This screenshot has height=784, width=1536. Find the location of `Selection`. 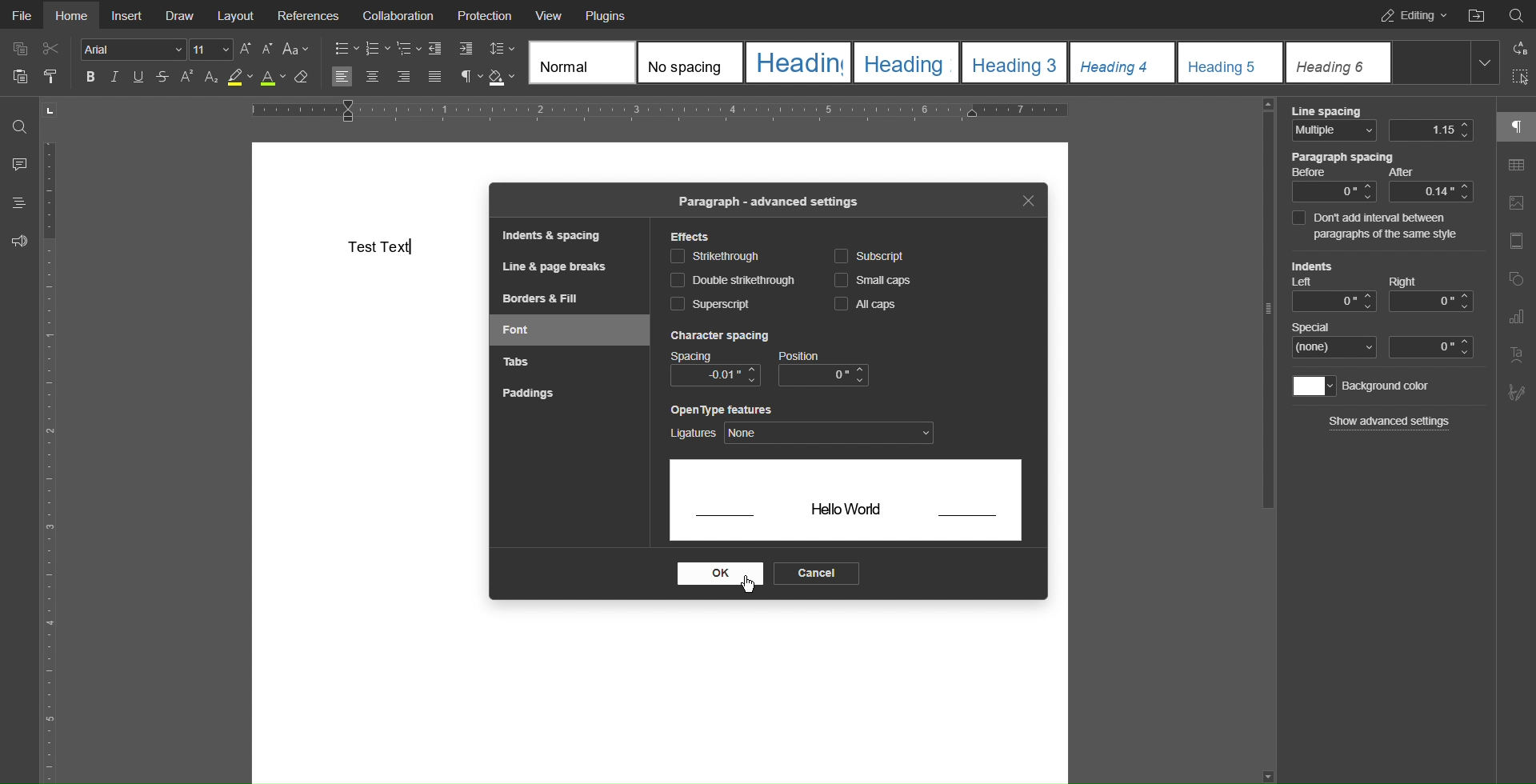

Selection is located at coordinates (1517, 78).